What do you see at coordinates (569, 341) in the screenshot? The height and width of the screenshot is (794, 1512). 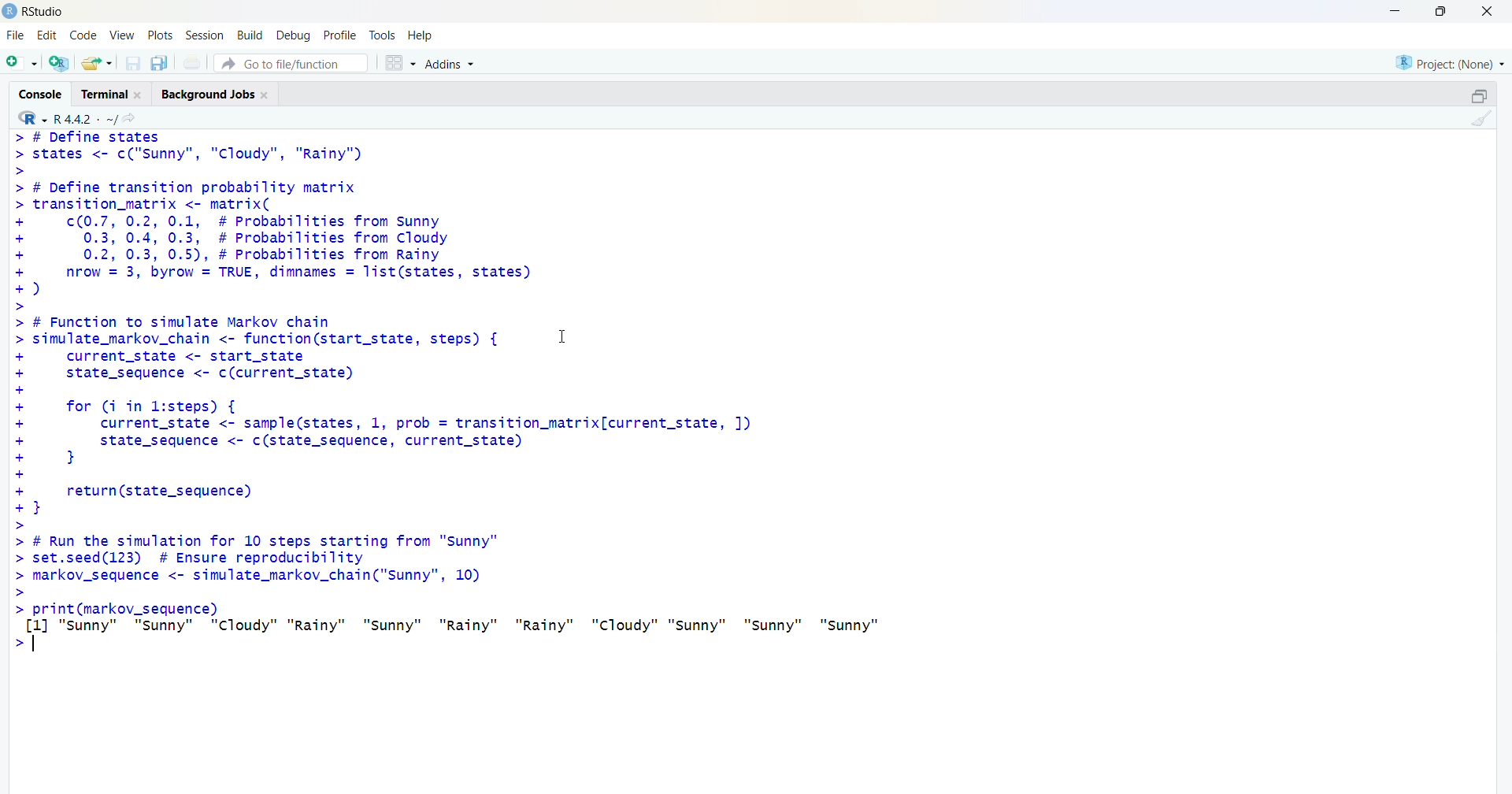 I see `cursor` at bounding box center [569, 341].